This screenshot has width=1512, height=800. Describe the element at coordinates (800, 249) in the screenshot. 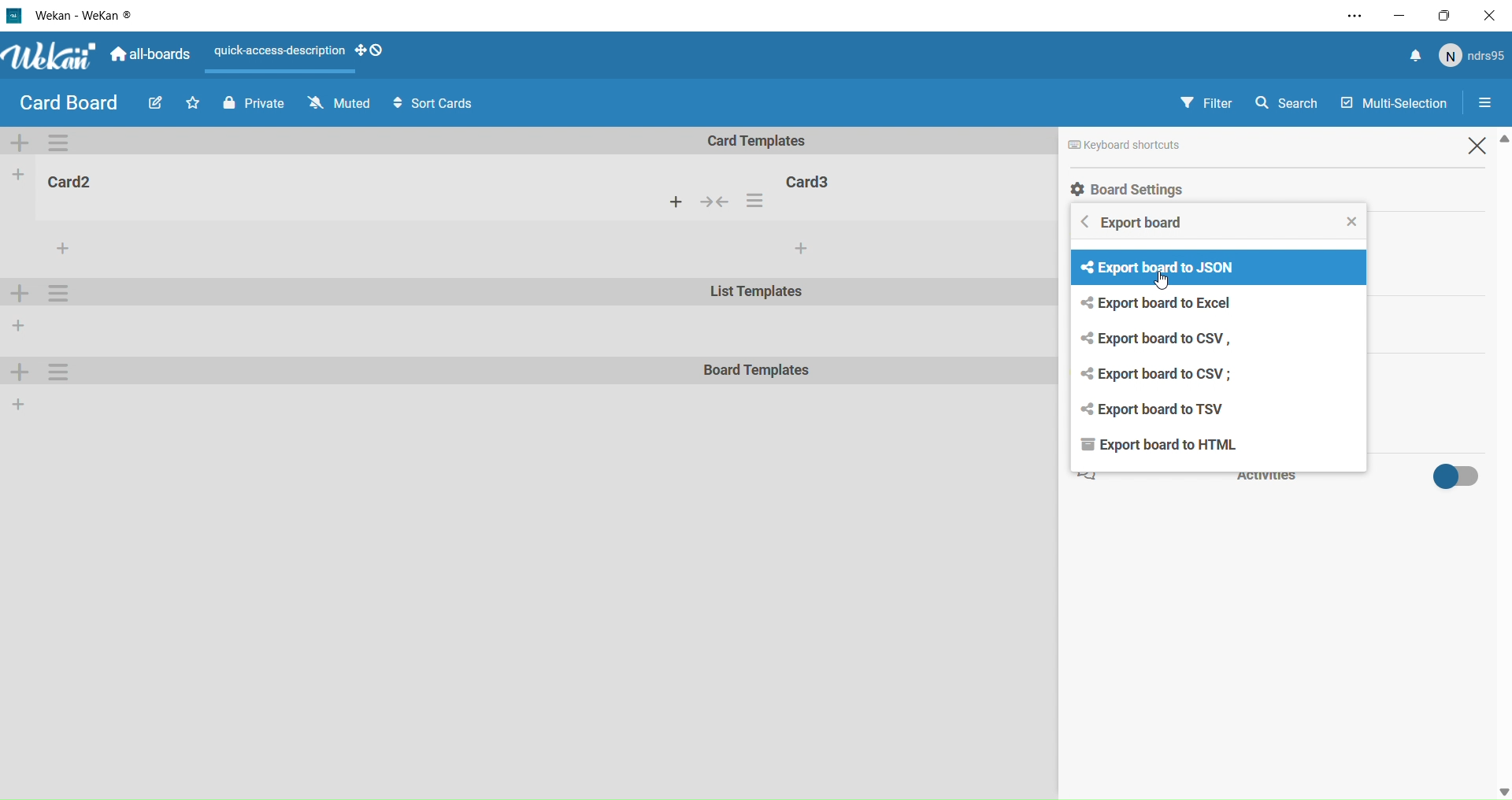

I see `add` at that location.